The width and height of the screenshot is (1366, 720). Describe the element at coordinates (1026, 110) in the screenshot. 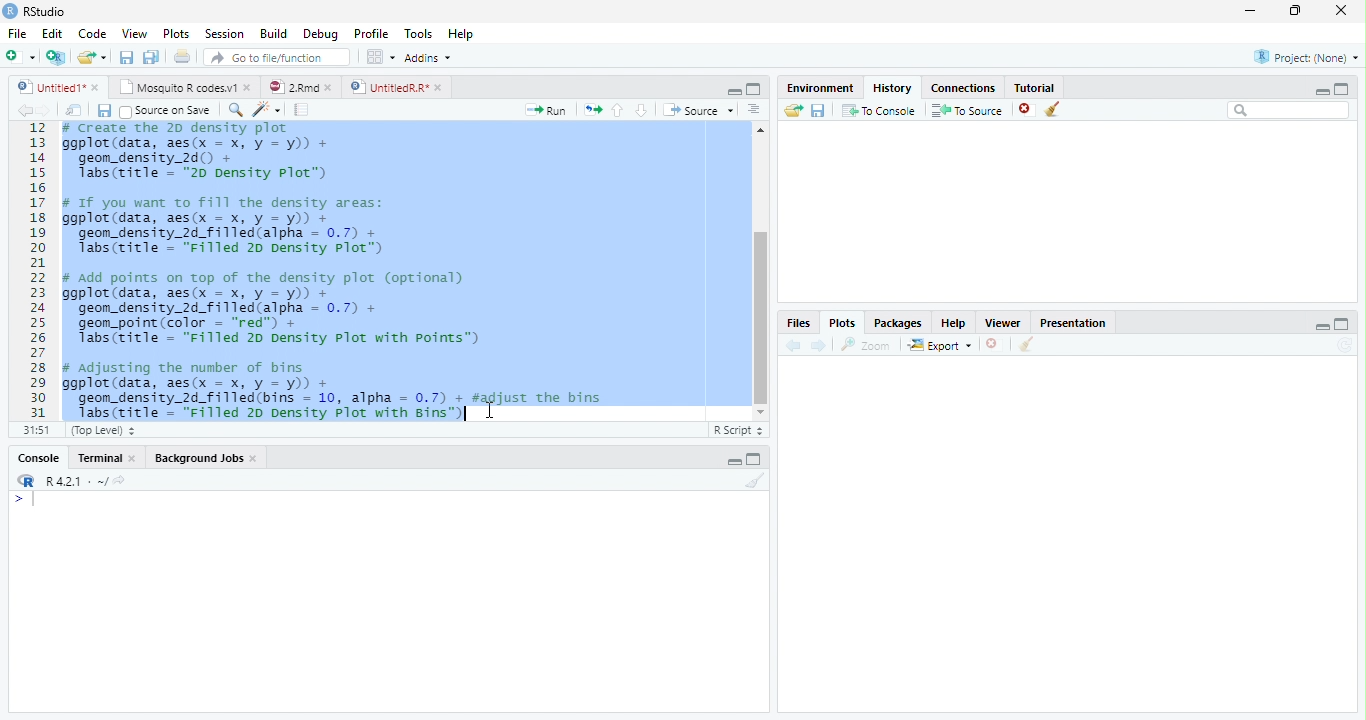

I see `close` at that location.